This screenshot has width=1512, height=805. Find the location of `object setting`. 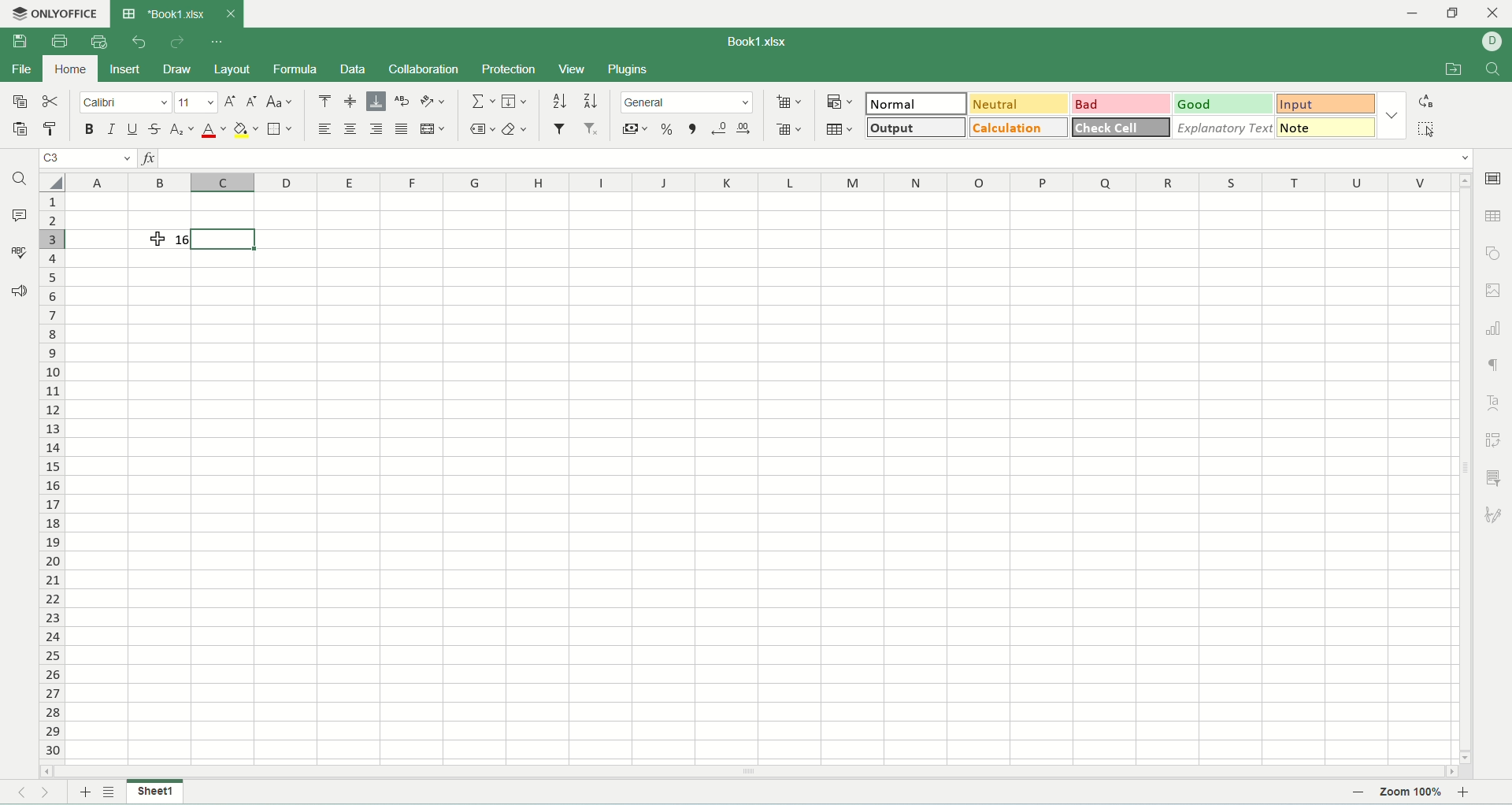

object setting is located at coordinates (1494, 253).